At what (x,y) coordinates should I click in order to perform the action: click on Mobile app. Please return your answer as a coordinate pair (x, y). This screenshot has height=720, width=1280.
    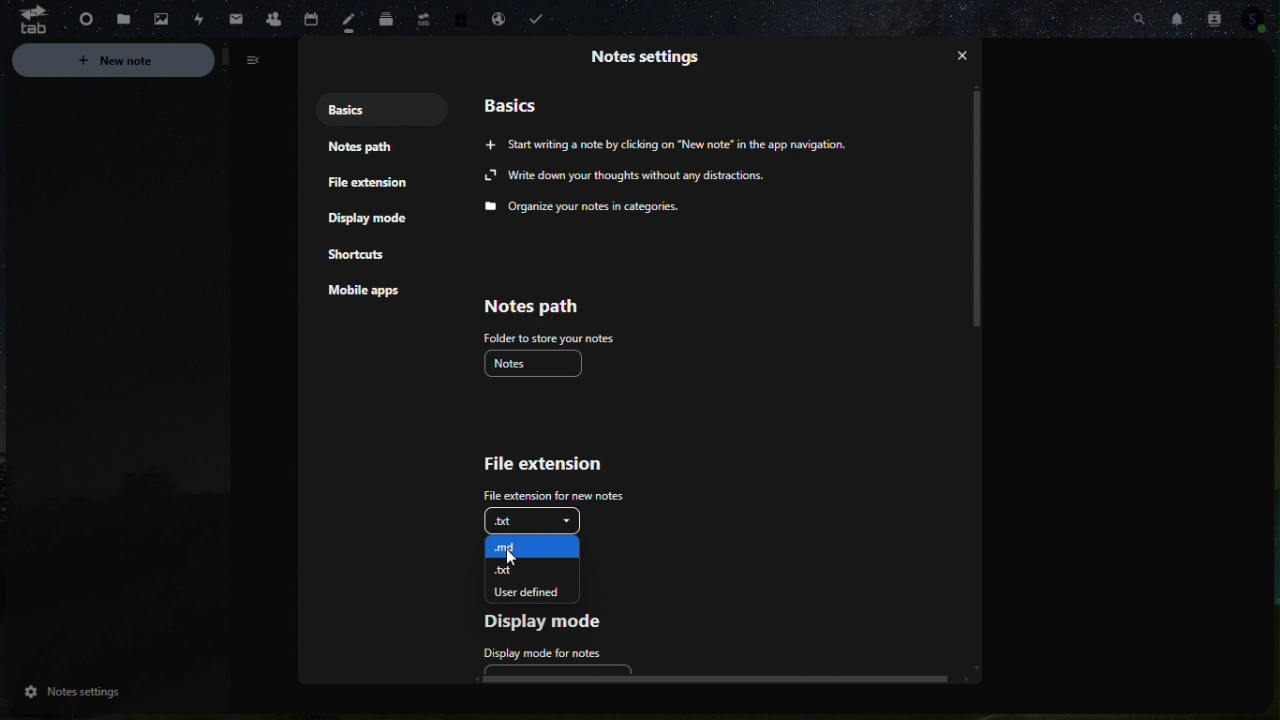
    Looking at the image, I should click on (375, 293).